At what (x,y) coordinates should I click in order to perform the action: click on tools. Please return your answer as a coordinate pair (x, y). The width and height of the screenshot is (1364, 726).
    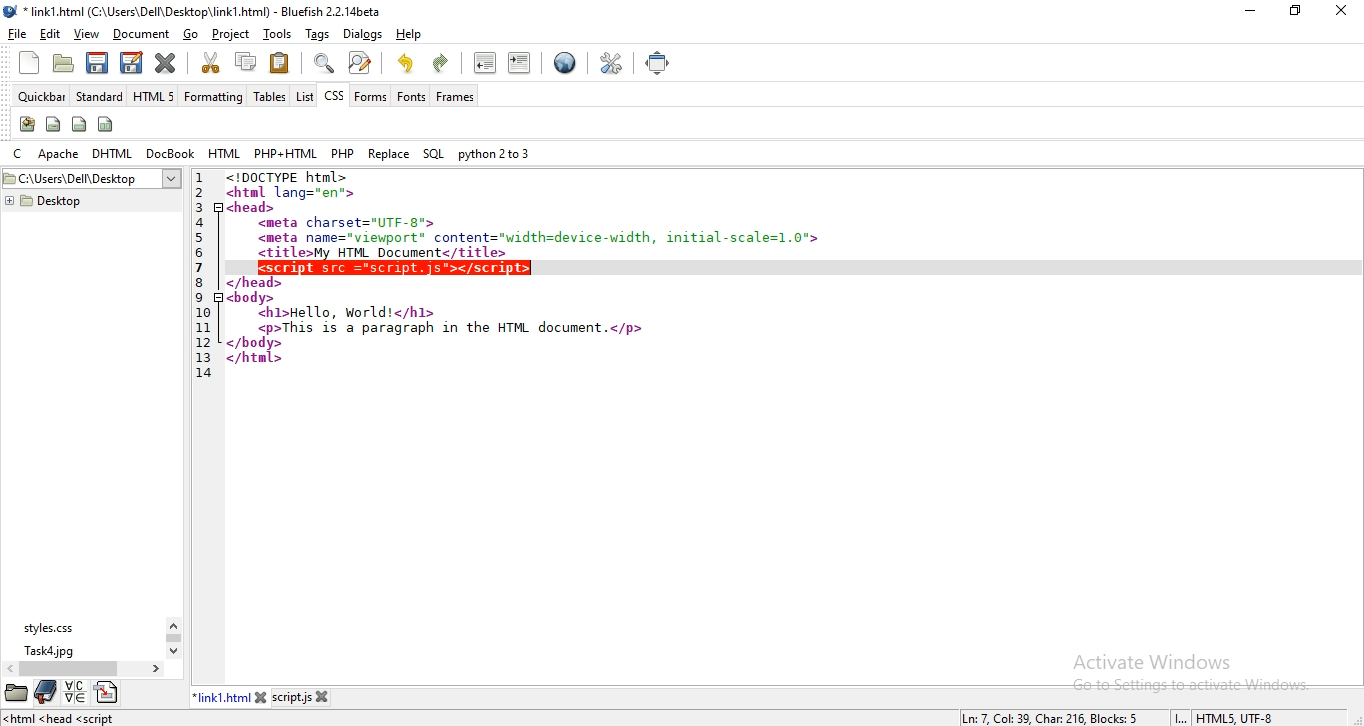
    Looking at the image, I should click on (279, 35).